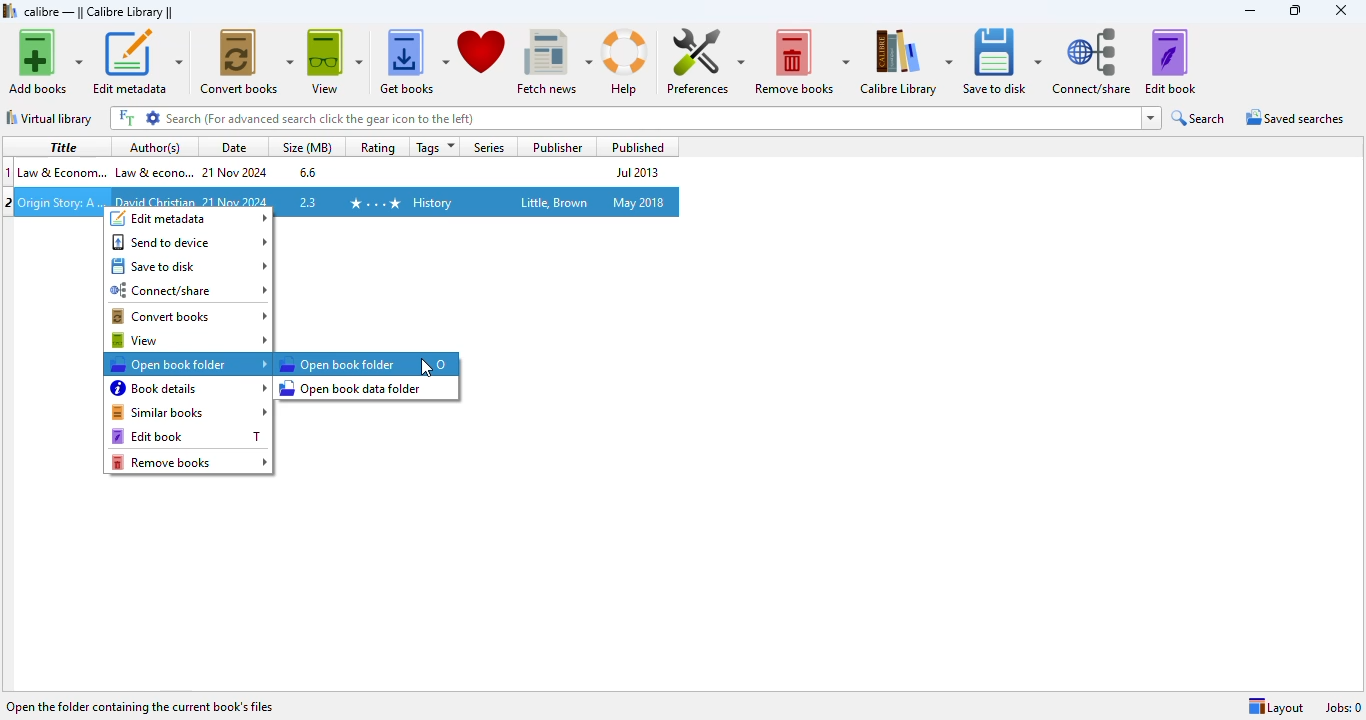 The height and width of the screenshot is (720, 1366). What do you see at coordinates (153, 171) in the screenshot?
I see `law & economics` at bounding box center [153, 171].